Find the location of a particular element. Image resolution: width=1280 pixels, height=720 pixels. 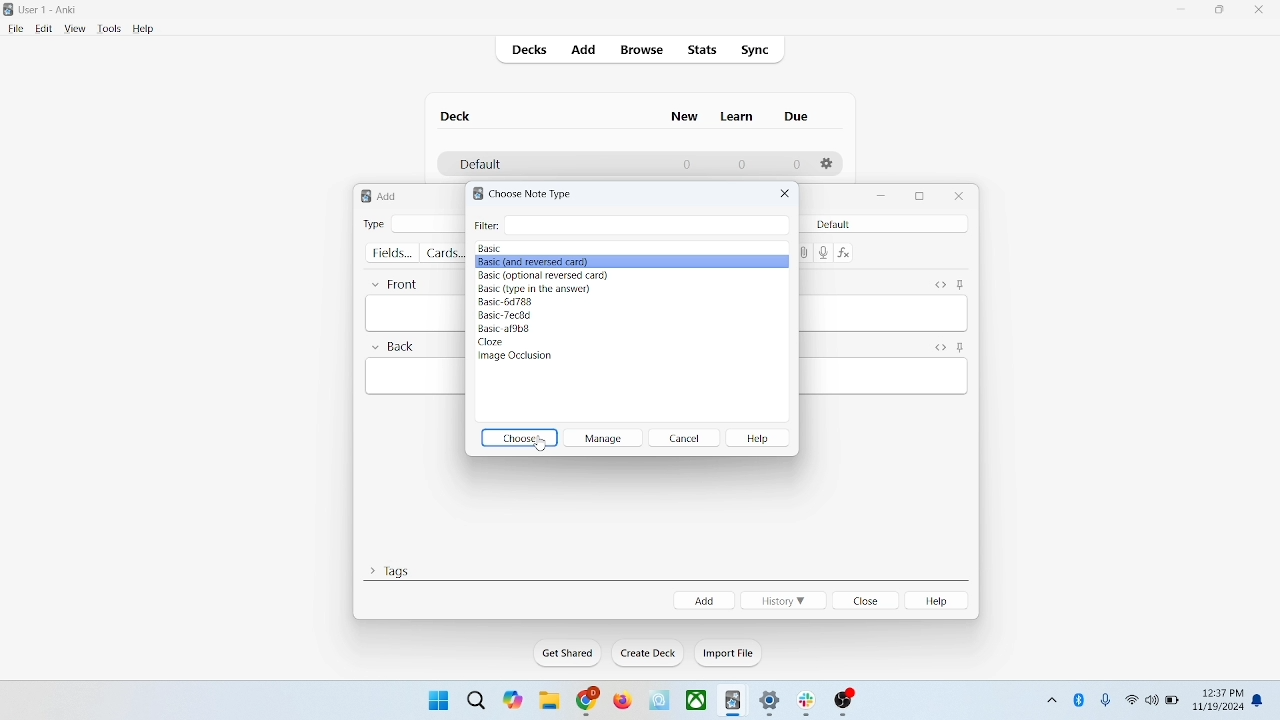

minimize is located at coordinates (884, 197).